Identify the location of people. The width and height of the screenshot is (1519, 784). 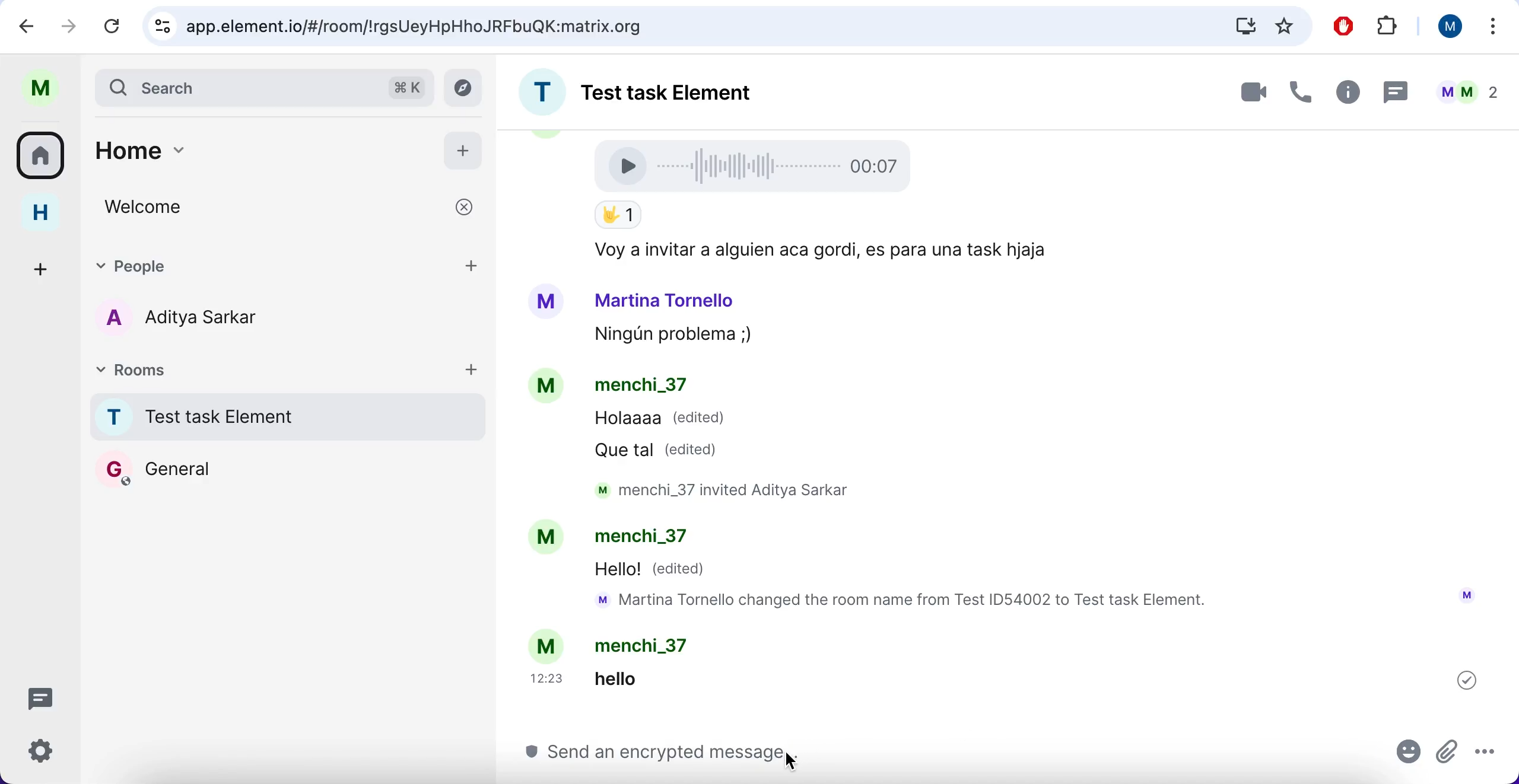
(253, 264).